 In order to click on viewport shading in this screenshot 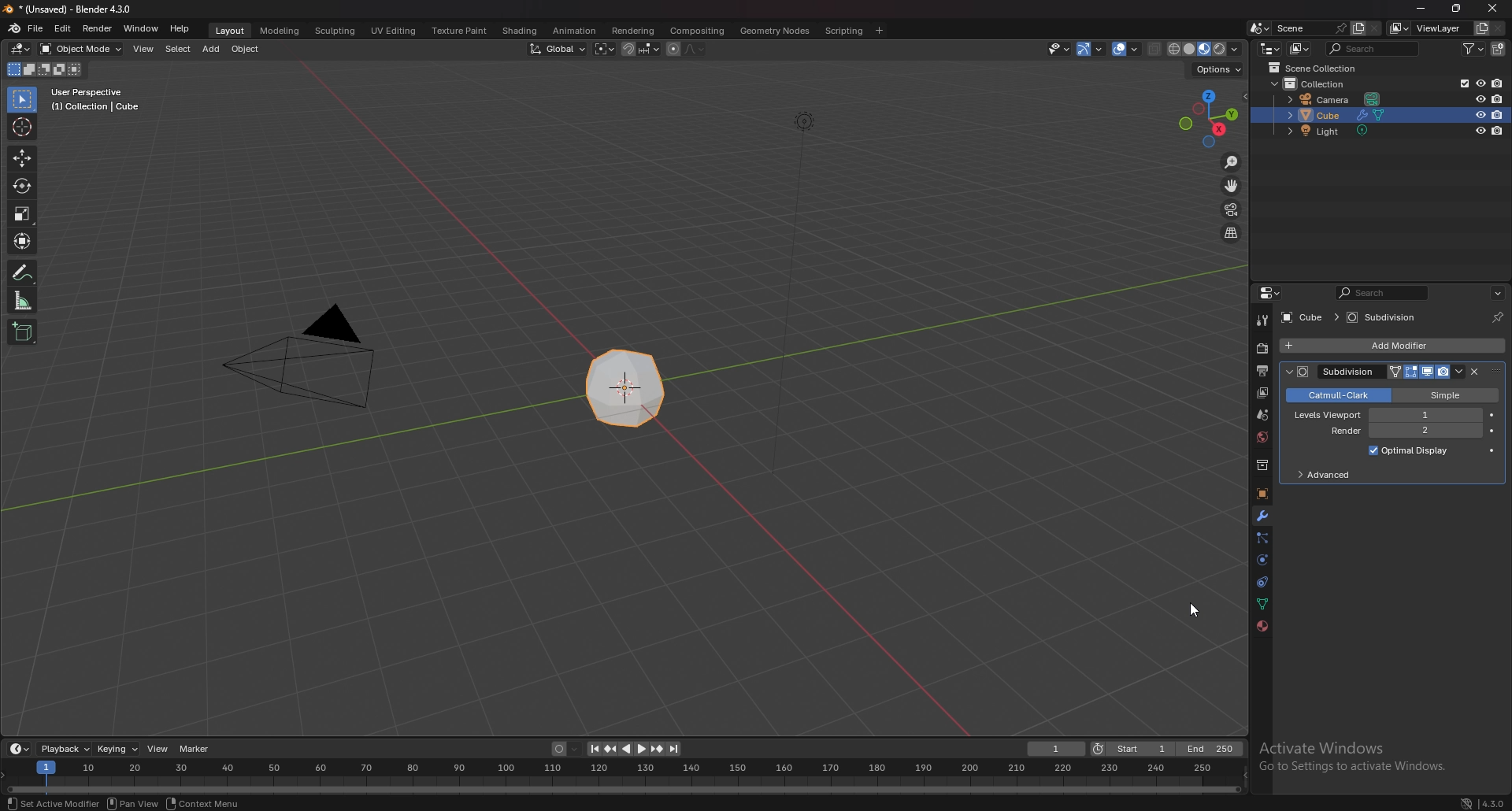, I will do `click(1205, 48)`.